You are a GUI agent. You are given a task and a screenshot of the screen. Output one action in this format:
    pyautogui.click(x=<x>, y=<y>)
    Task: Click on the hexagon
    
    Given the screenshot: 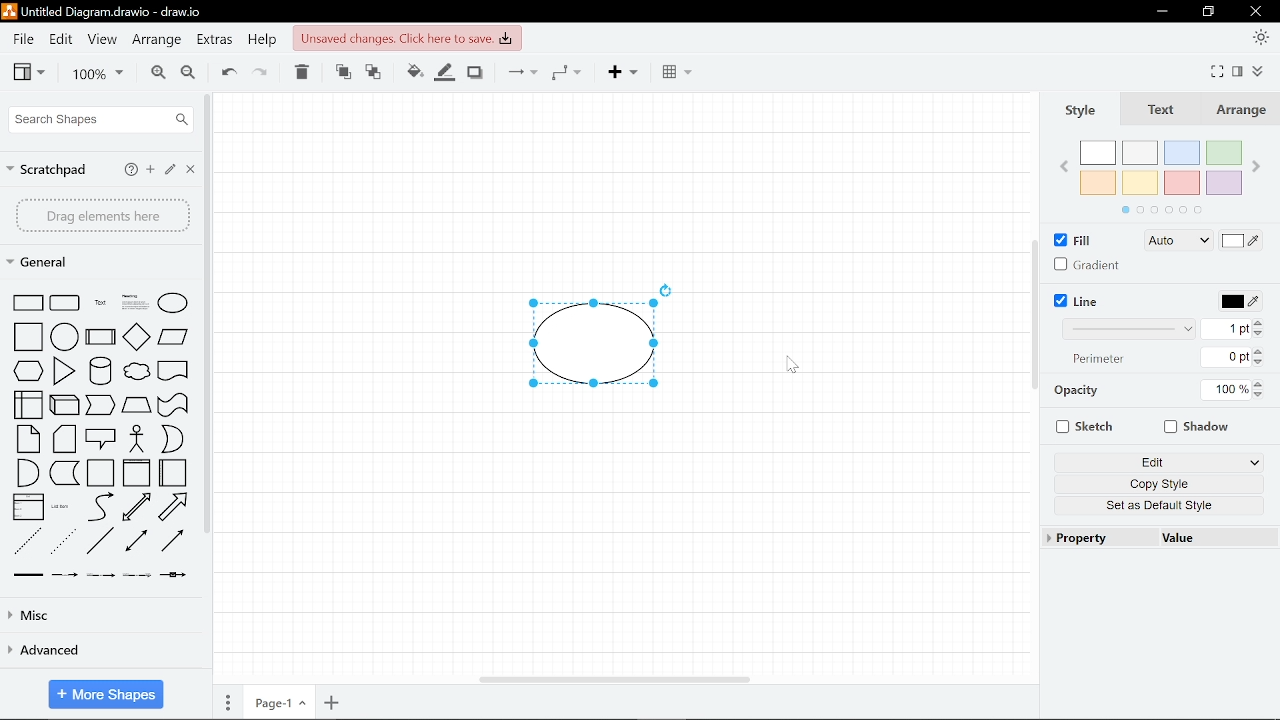 What is the action you would take?
    pyautogui.click(x=29, y=370)
    